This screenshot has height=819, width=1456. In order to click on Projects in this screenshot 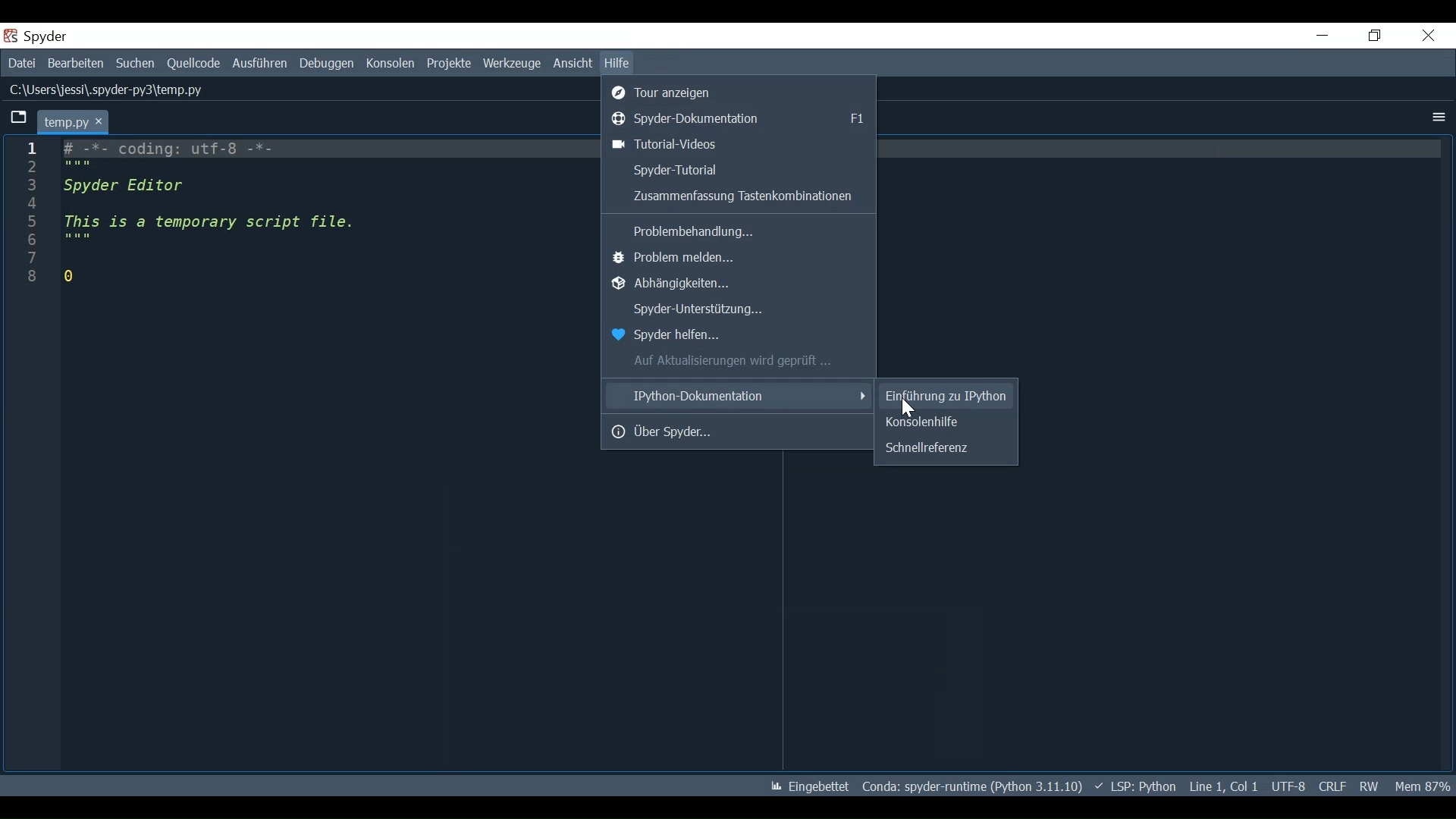, I will do `click(450, 64)`.